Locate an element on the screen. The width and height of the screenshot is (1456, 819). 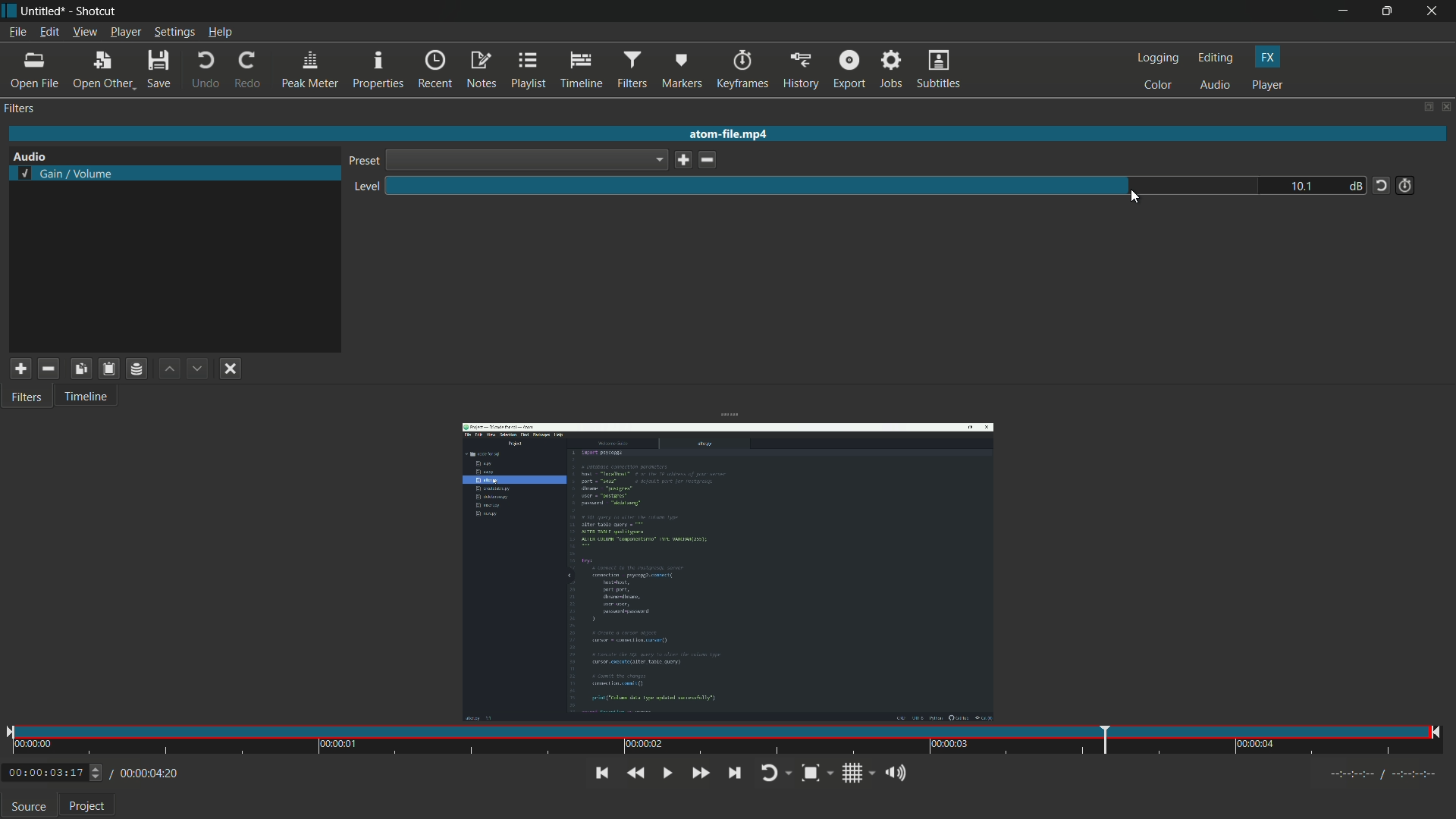
logging is located at coordinates (1157, 58).